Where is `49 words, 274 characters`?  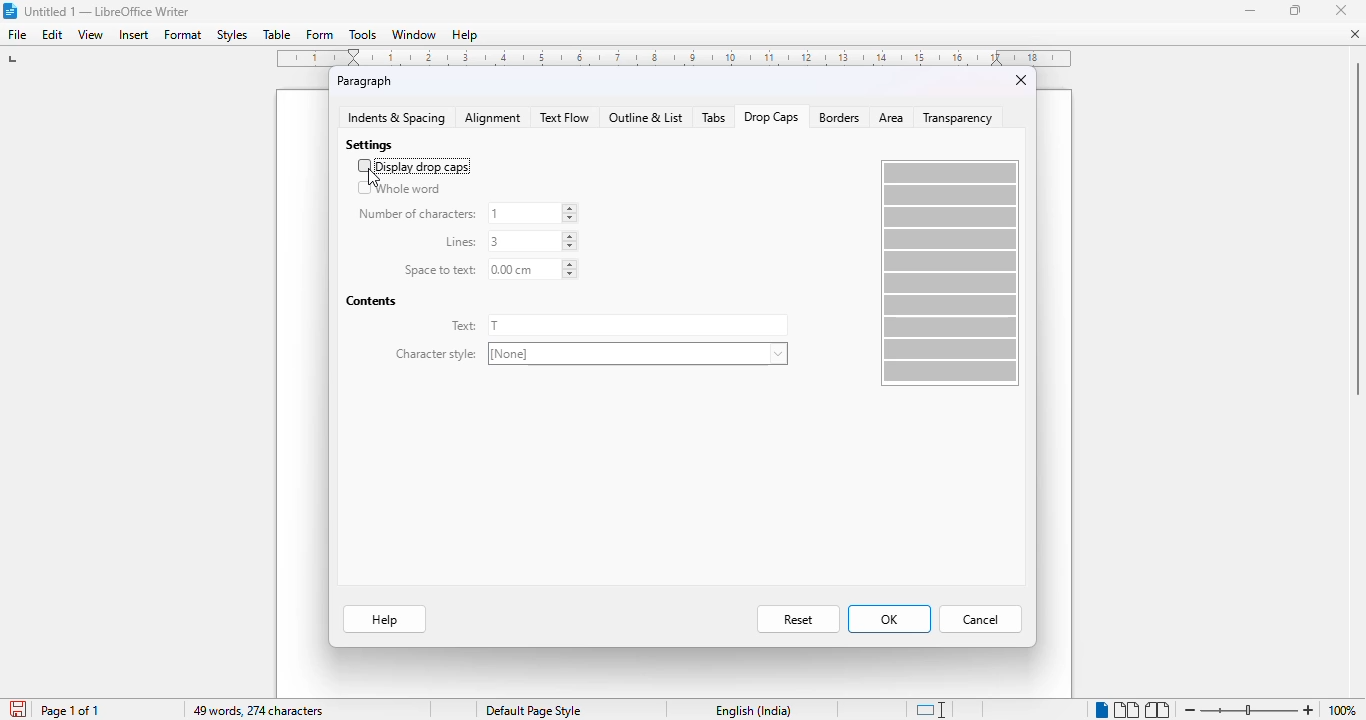
49 words, 274 characters is located at coordinates (257, 711).